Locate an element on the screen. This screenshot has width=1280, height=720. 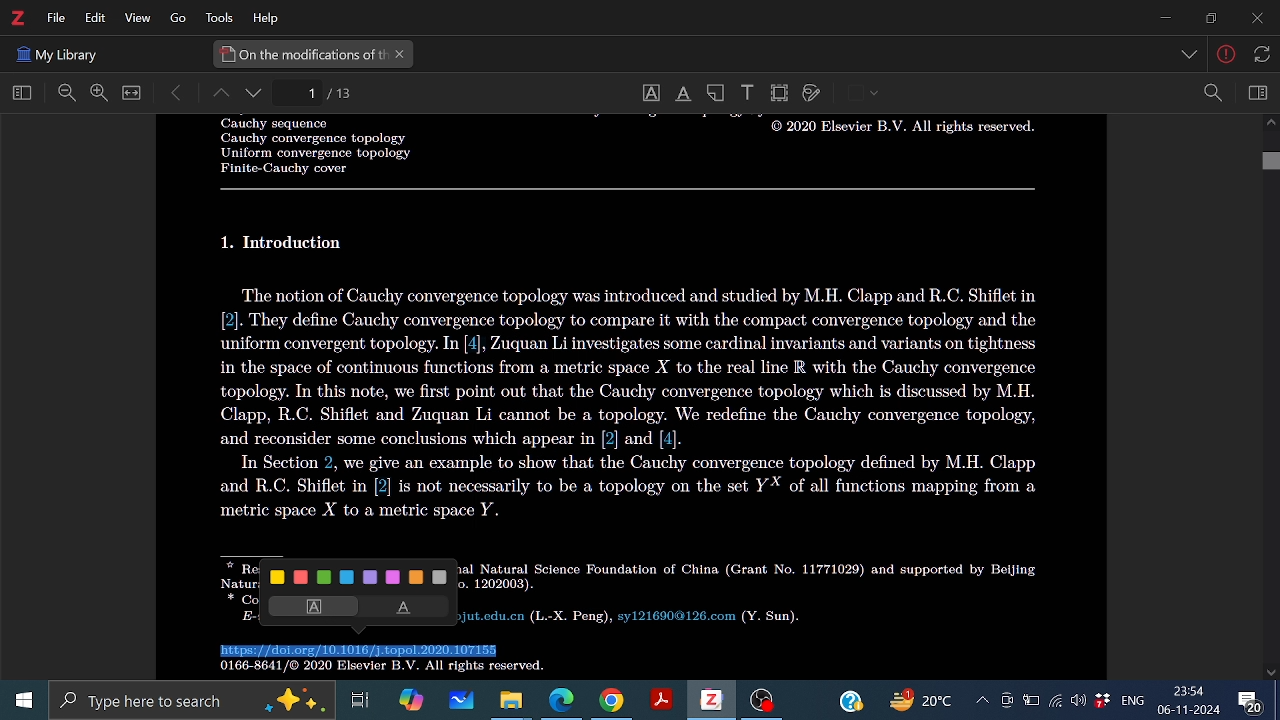
Close is located at coordinates (1255, 20).